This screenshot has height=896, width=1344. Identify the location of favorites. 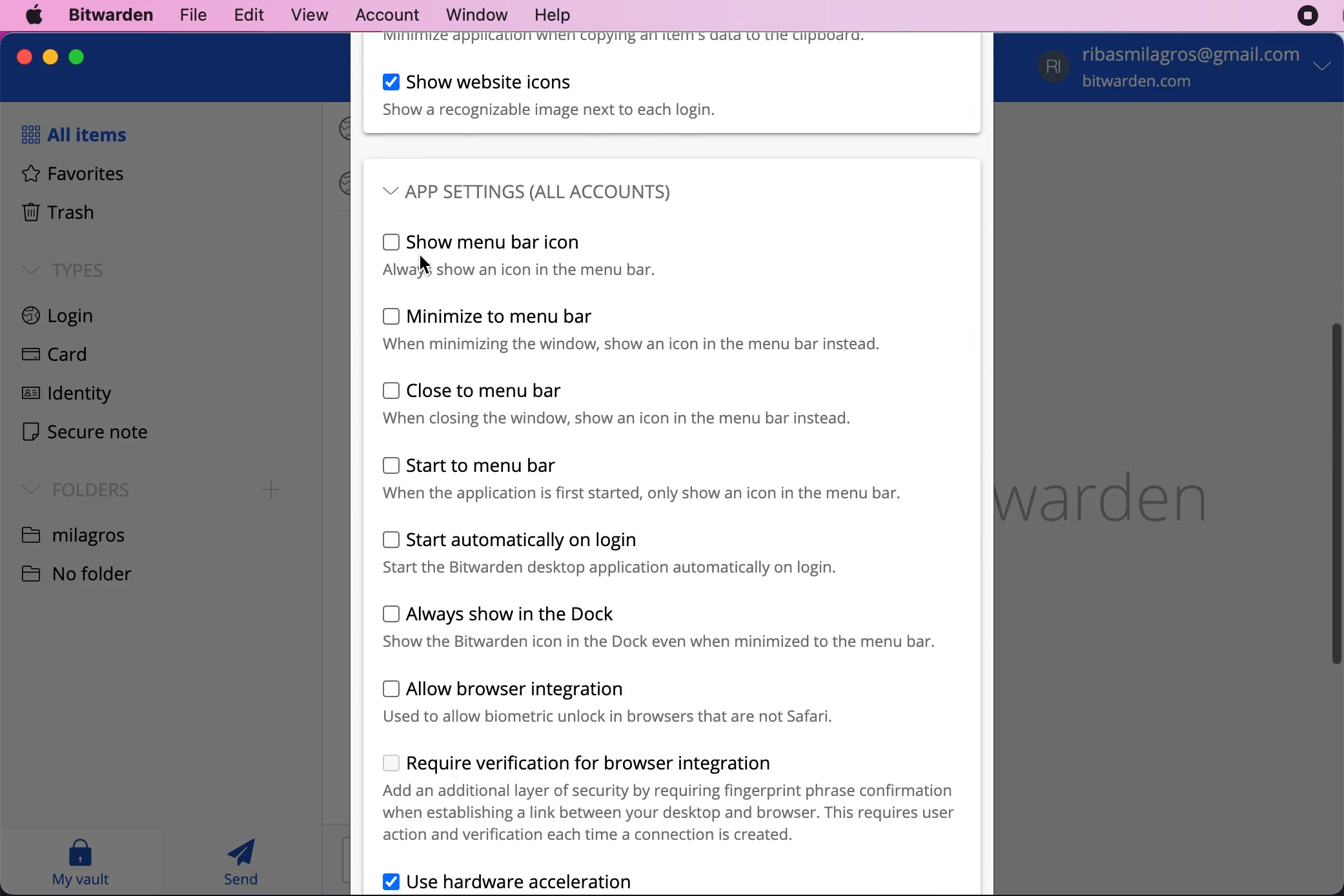
(66, 176).